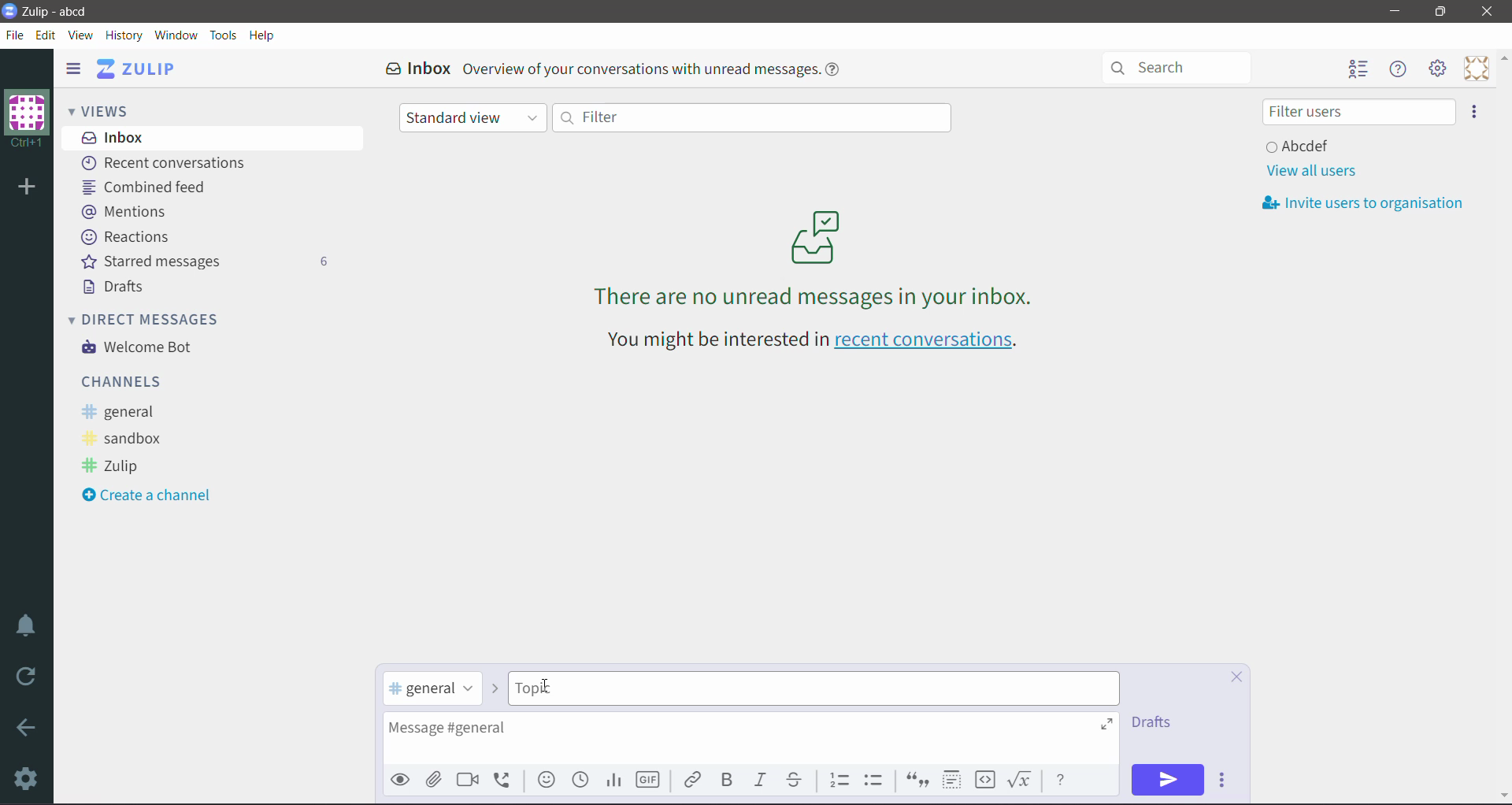  Describe the element at coordinates (877, 780) in the screenshot. I see `Bulleted list` at that location.